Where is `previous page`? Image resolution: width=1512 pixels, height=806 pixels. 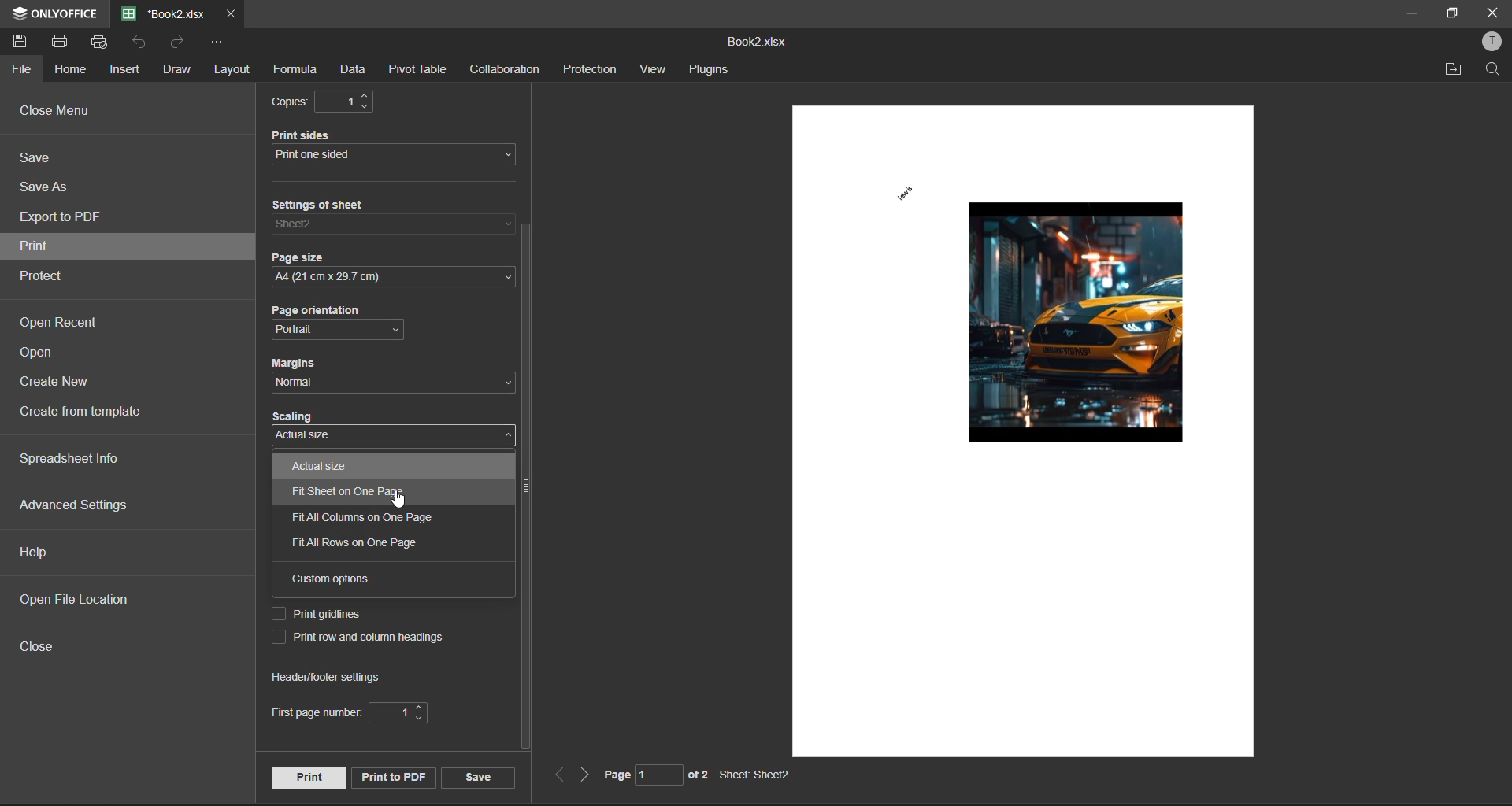 previous page is located at coordinates (558, 776).